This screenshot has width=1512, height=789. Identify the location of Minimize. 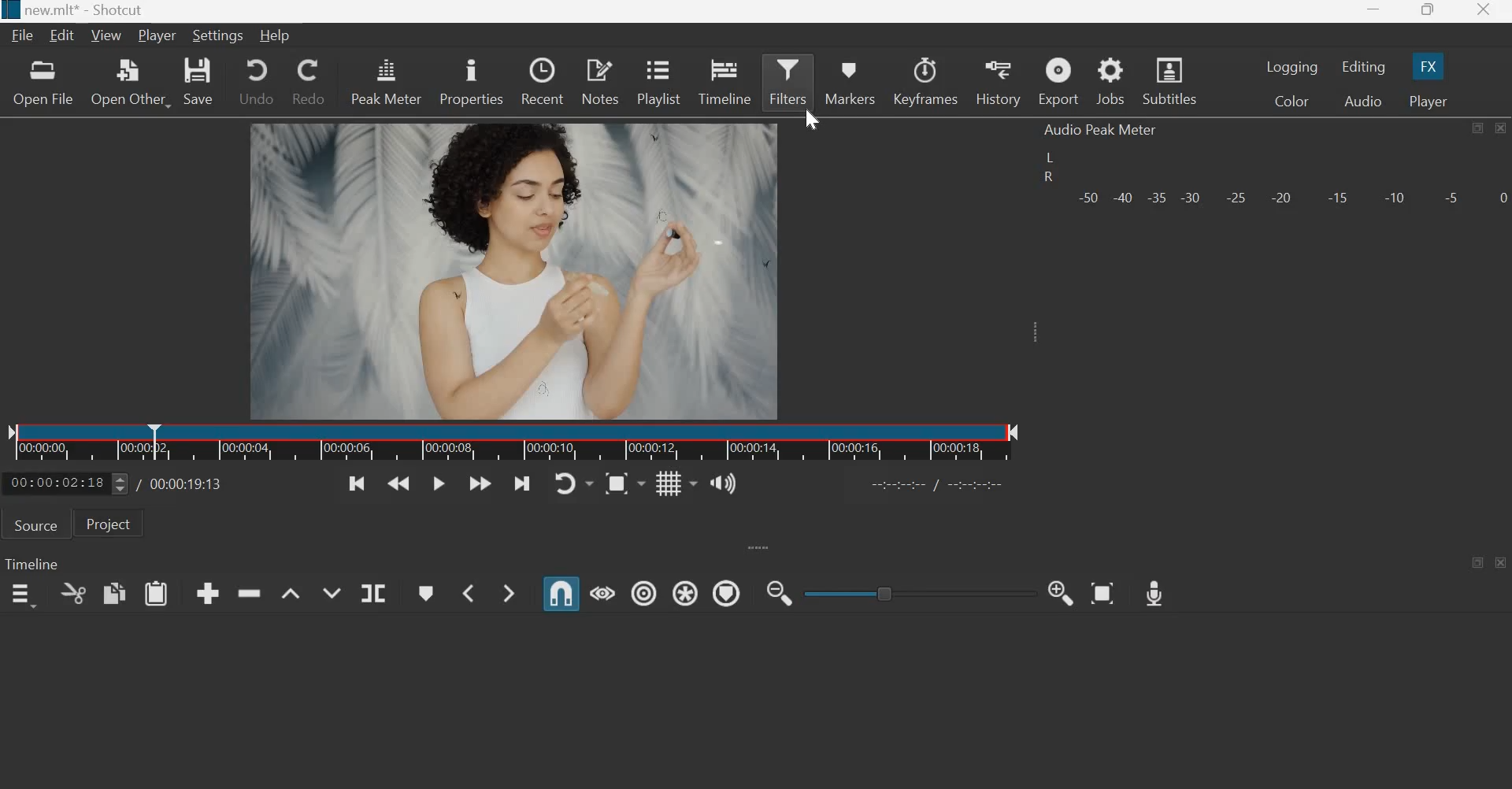
(1377, 10).